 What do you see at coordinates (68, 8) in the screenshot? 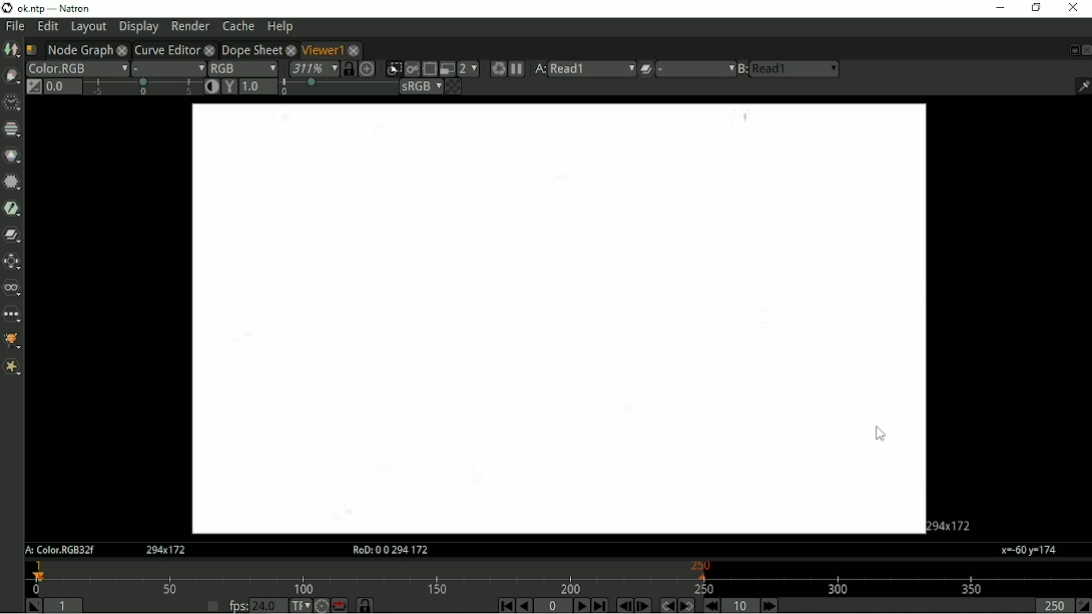
I see `title` at bounding box center [68, 8].